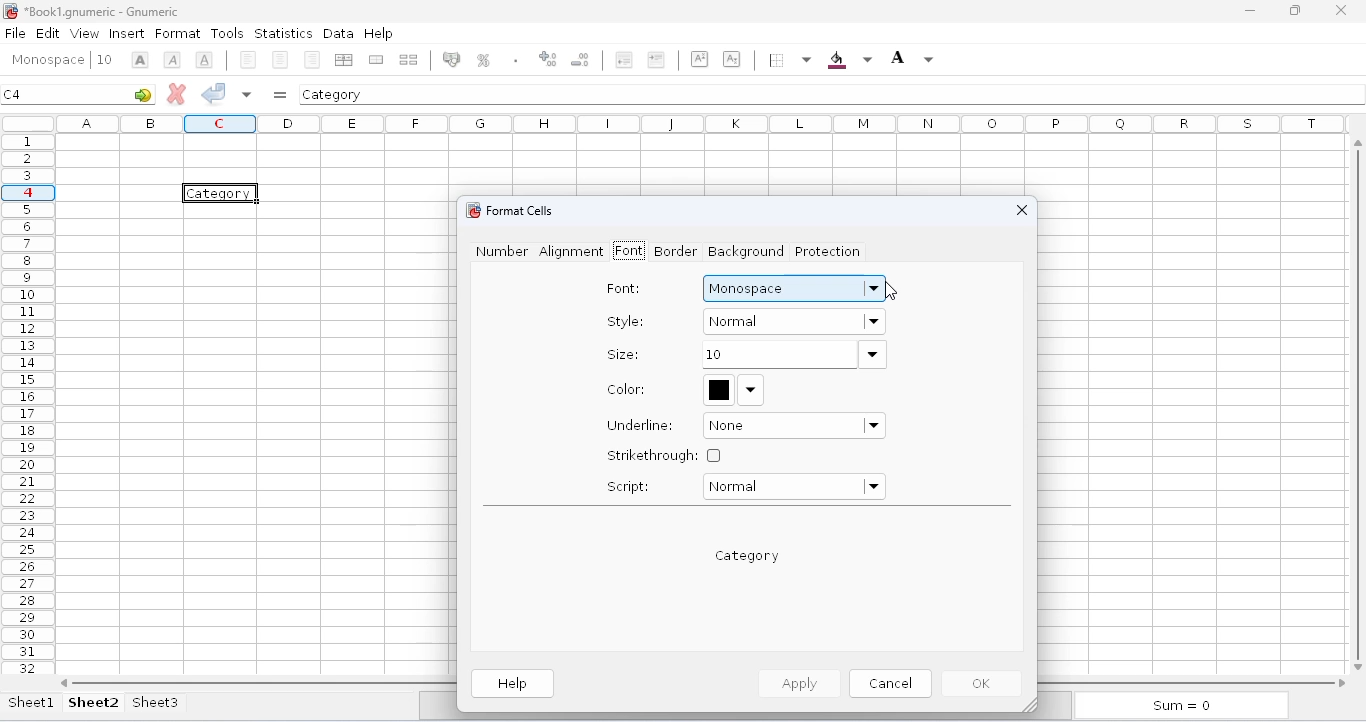 This screenshot has width=1366, height=722. Describe the element at coordinates (1295, 11) in the screenshot. I see `maximize` at that location.